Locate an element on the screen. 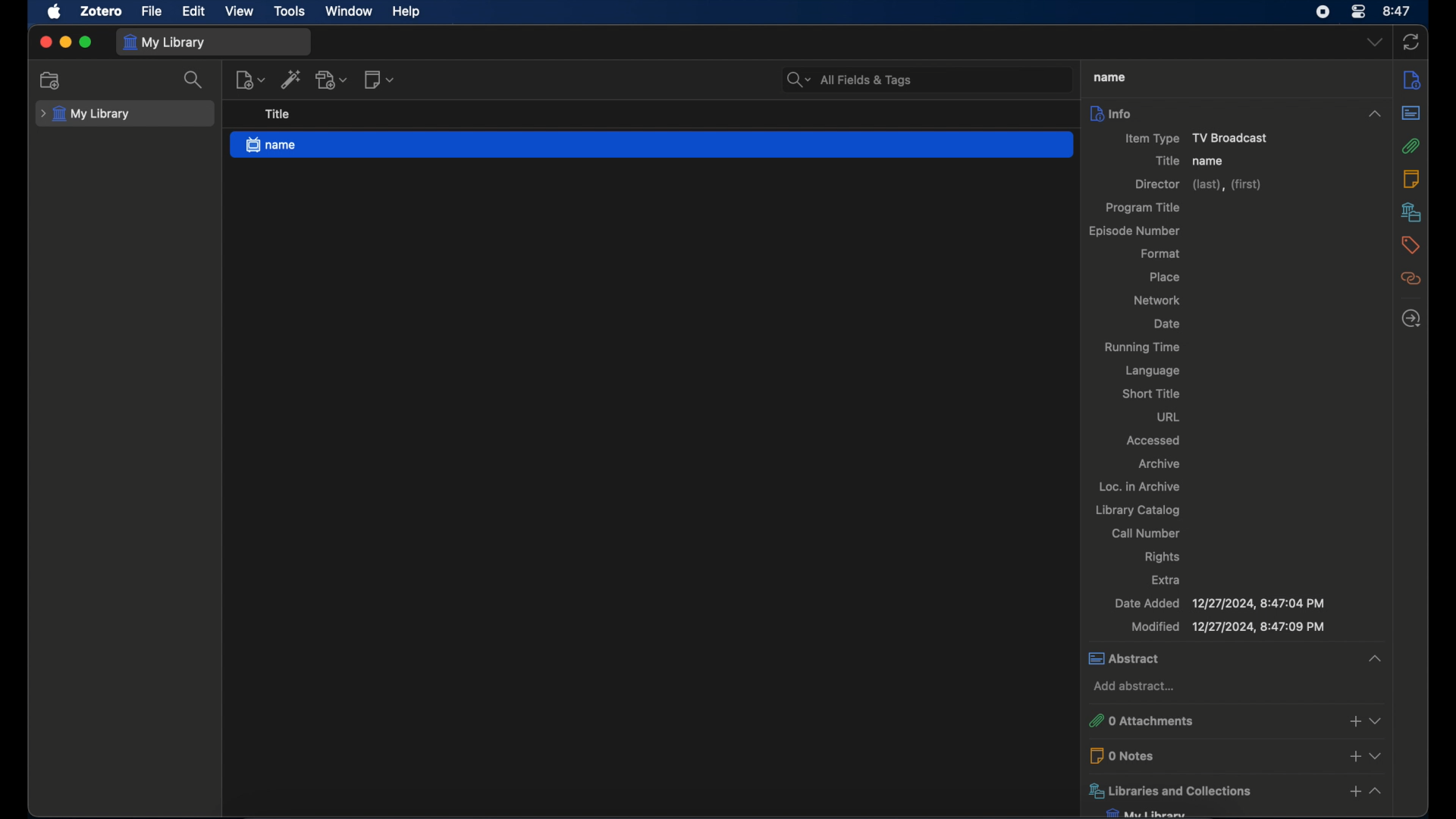 This screenshot has height=819, width=1456. date added is located at coordinates (1219, 603).